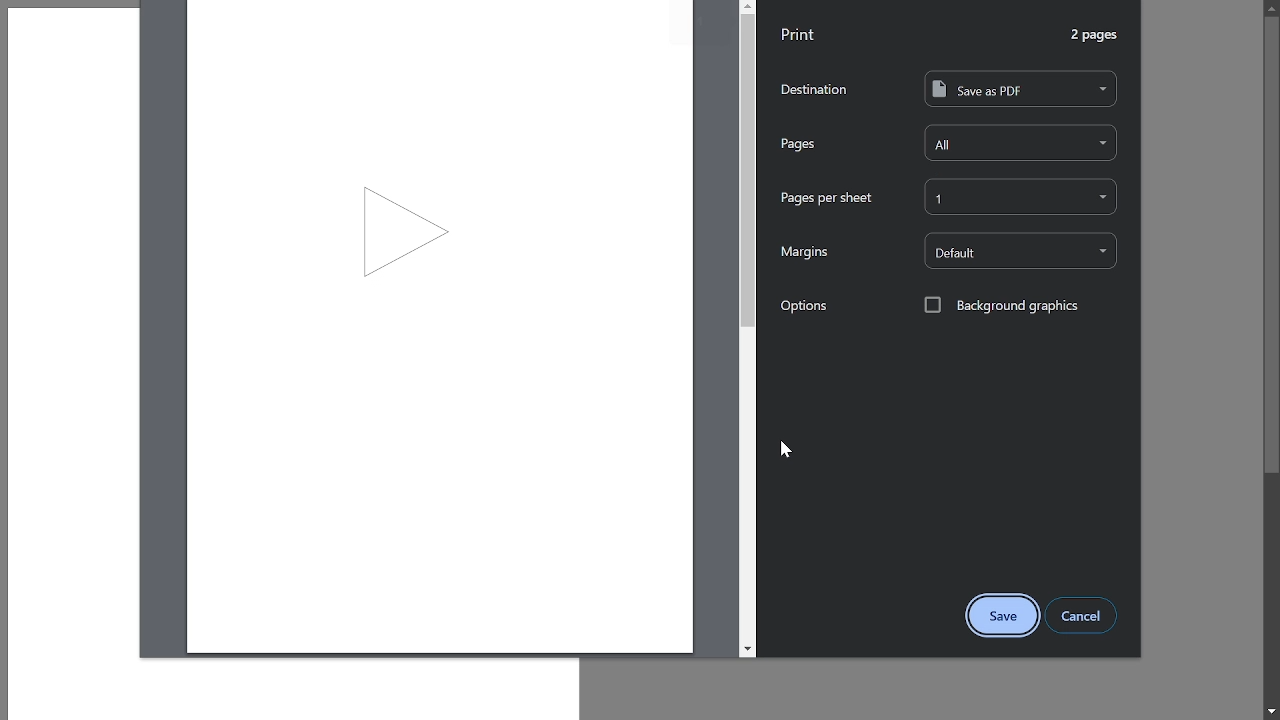 The image size is (1280, 720). I want to click on 2 pages, so click(1096, 35).